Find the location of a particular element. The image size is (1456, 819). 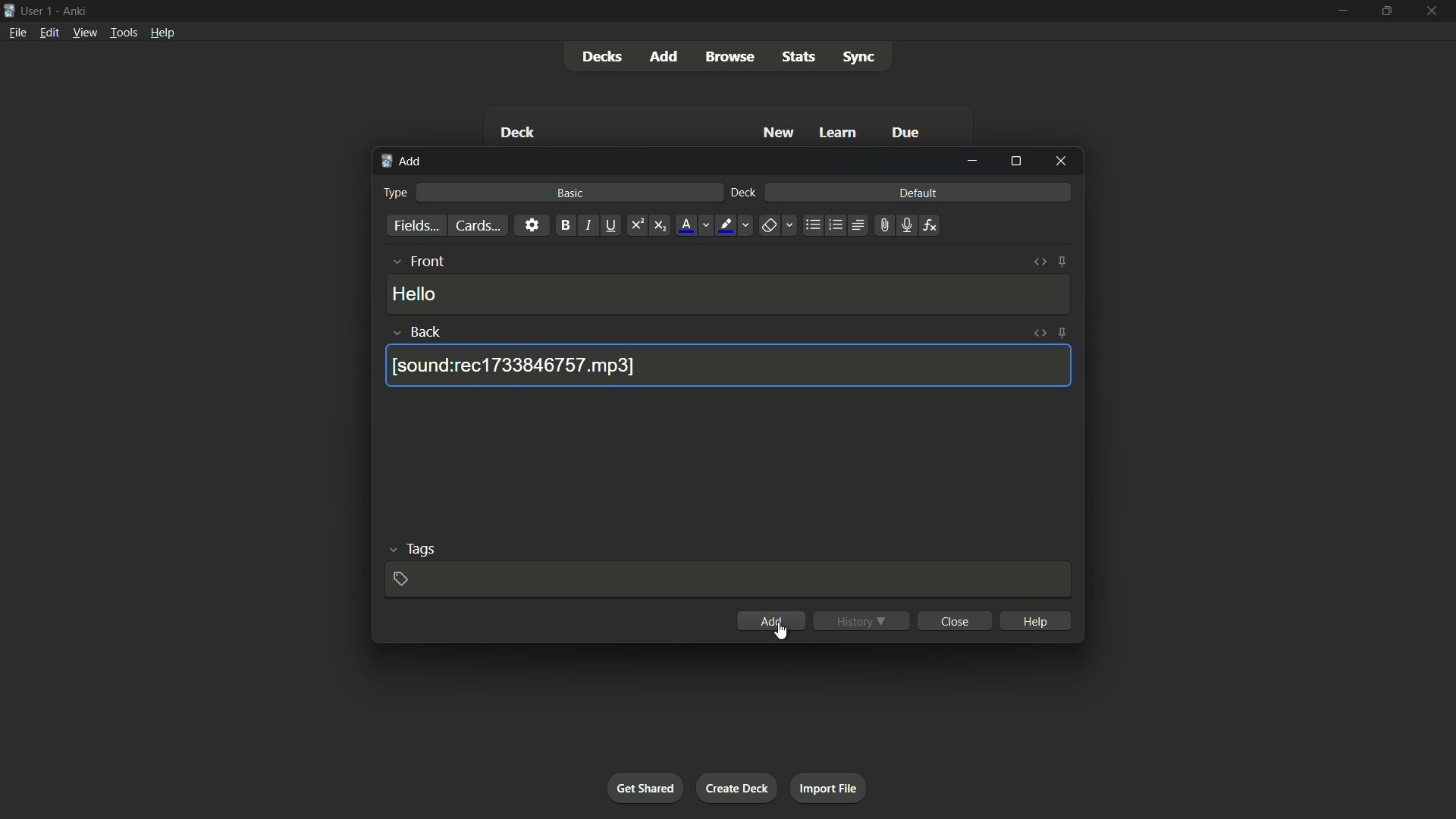

remove formatting is located at coordinates (779, 226).